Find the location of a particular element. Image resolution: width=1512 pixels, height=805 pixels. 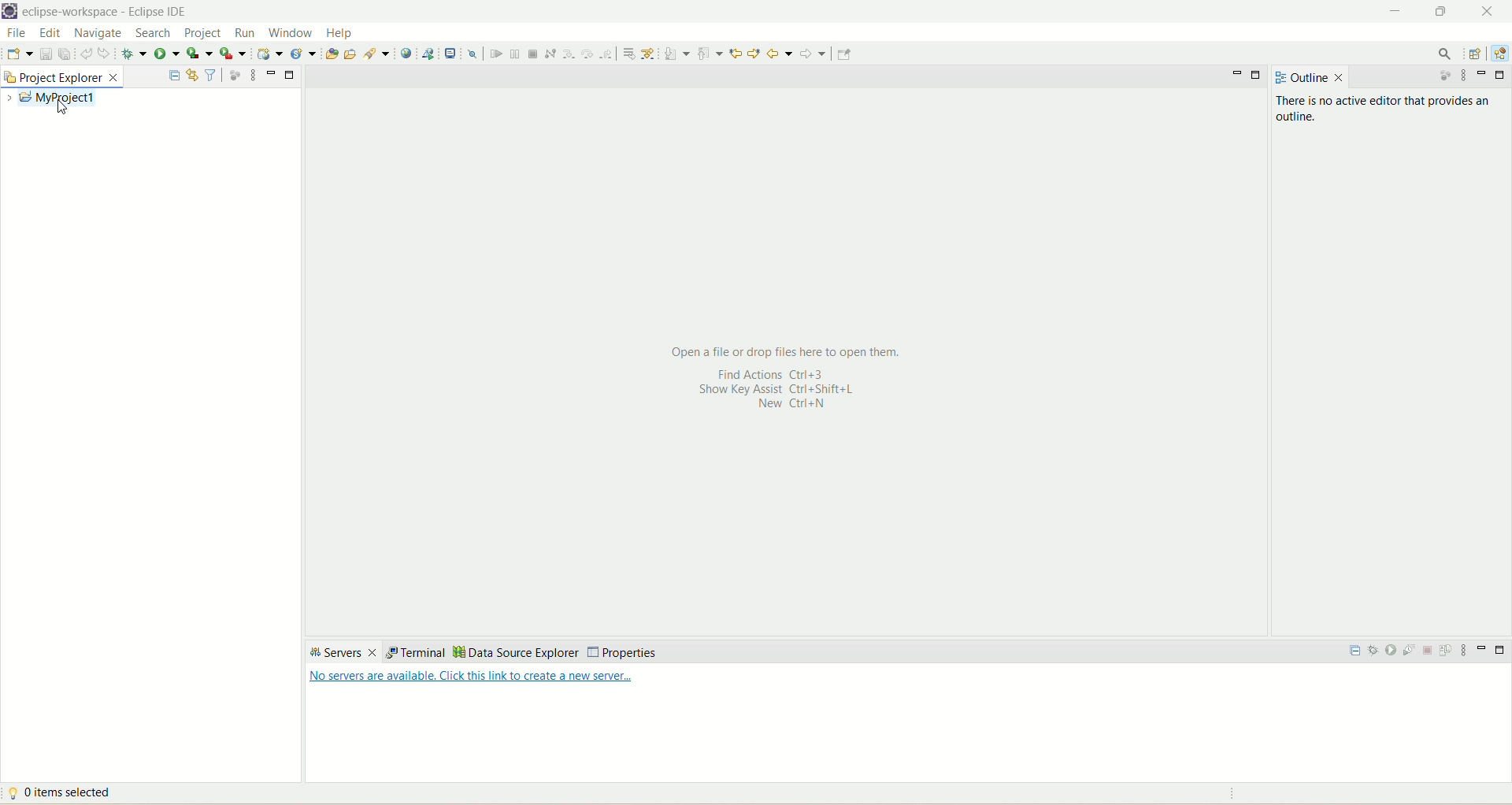

save is located at coordinates (45, 54).